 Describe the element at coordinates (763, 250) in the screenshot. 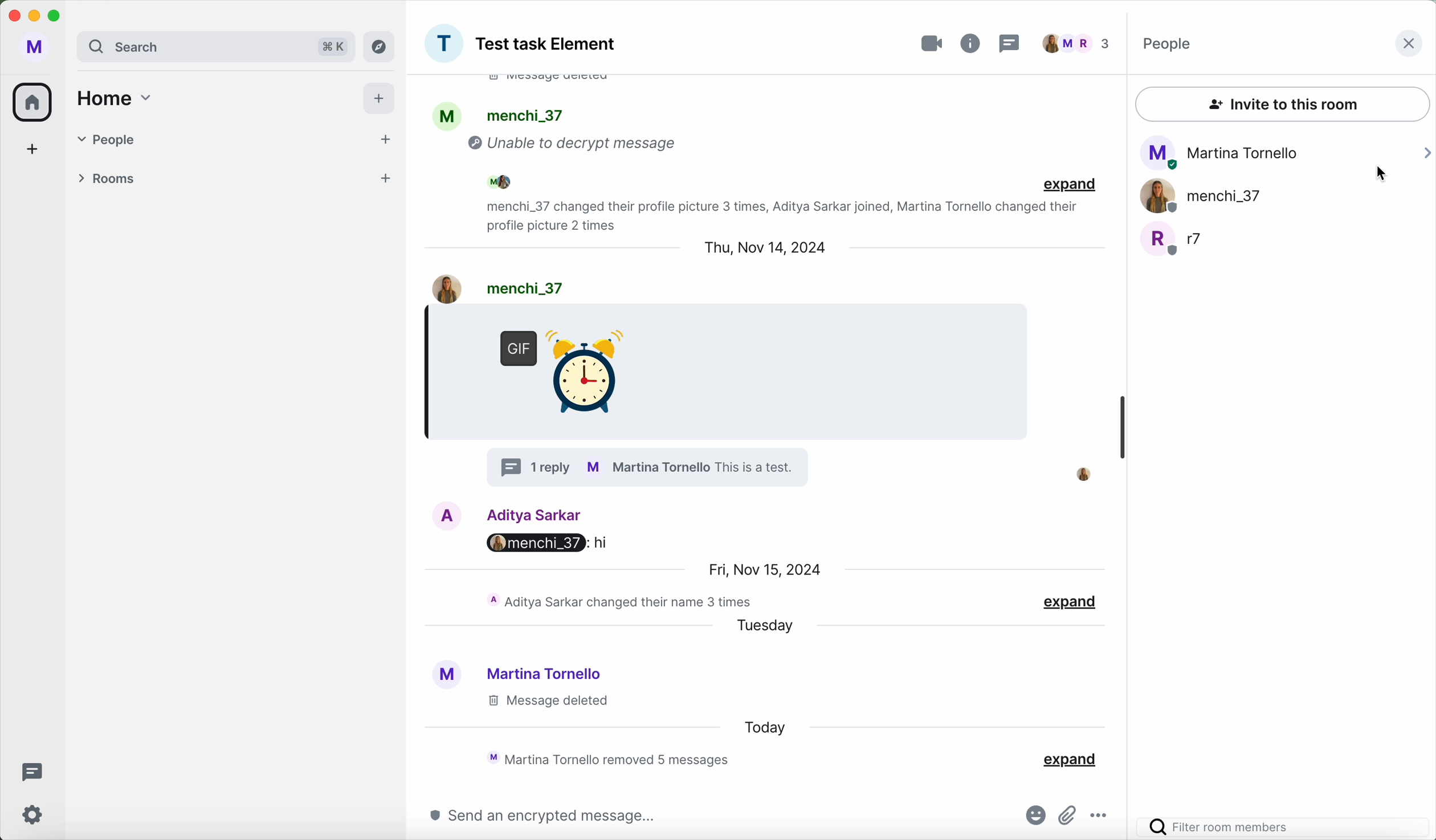

I see `date` at that location.